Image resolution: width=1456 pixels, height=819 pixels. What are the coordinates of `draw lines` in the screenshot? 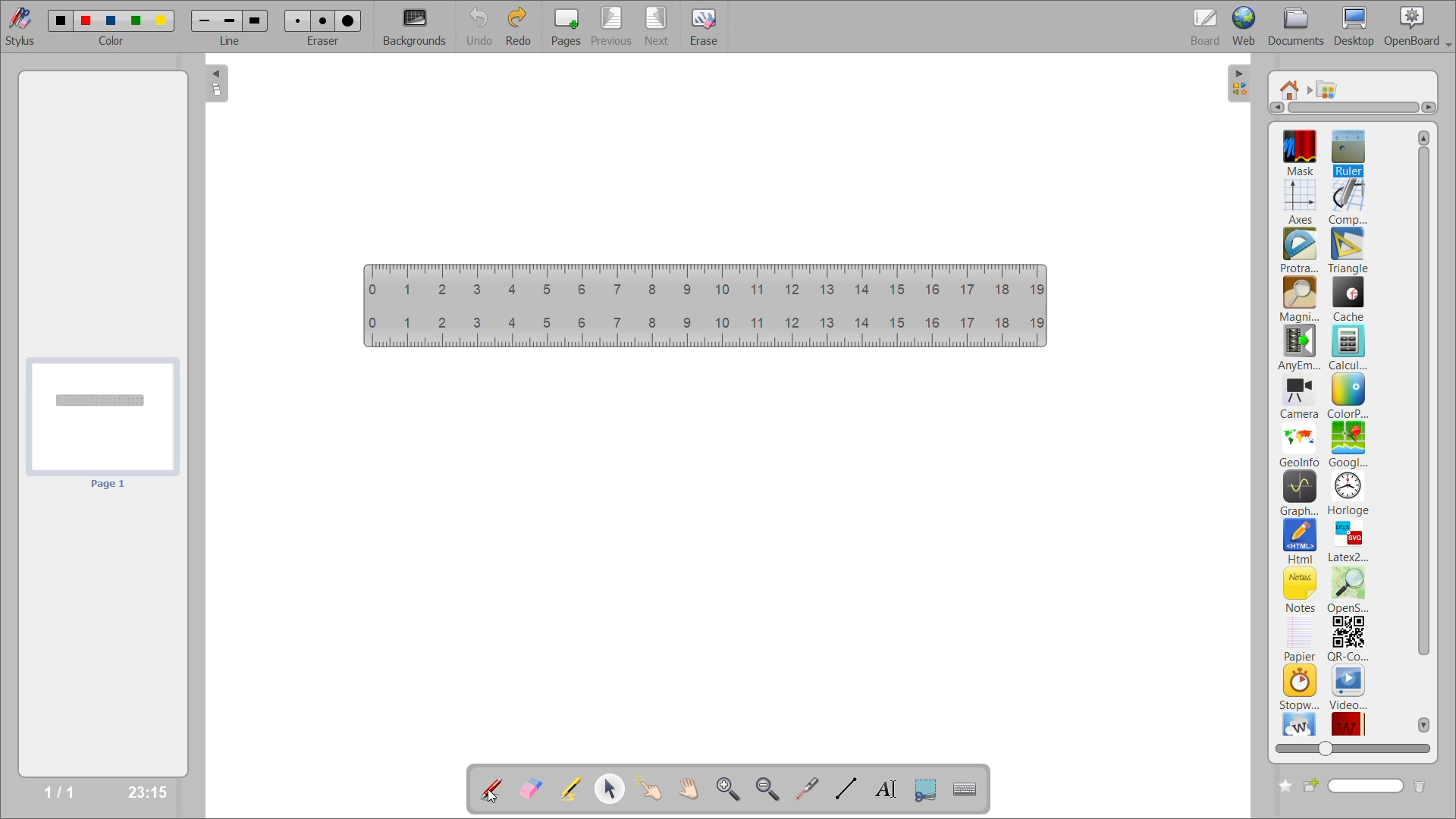 It's located at (844, 788).